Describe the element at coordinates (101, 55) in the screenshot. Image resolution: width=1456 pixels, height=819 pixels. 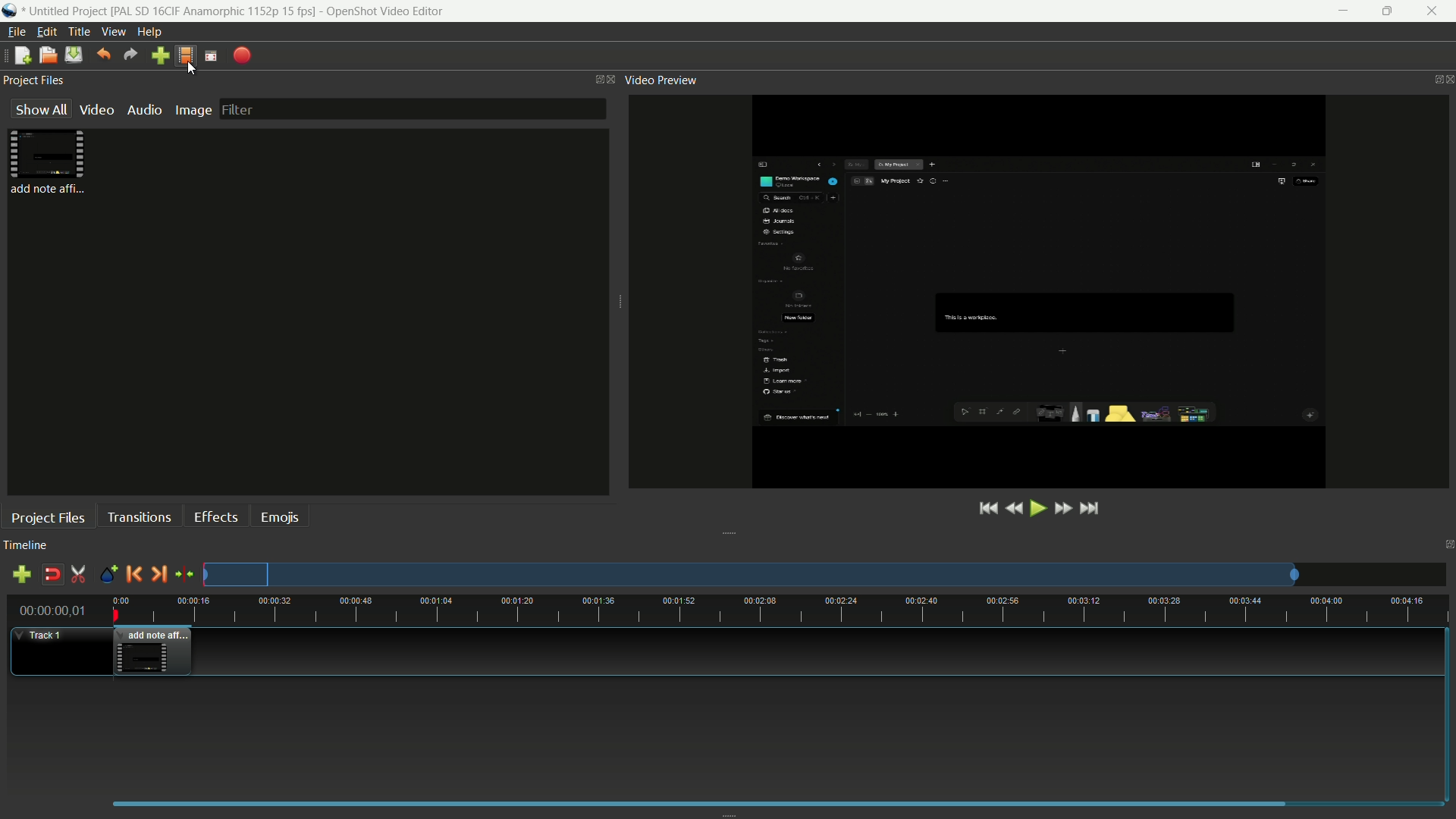
I see `undo` at that location.